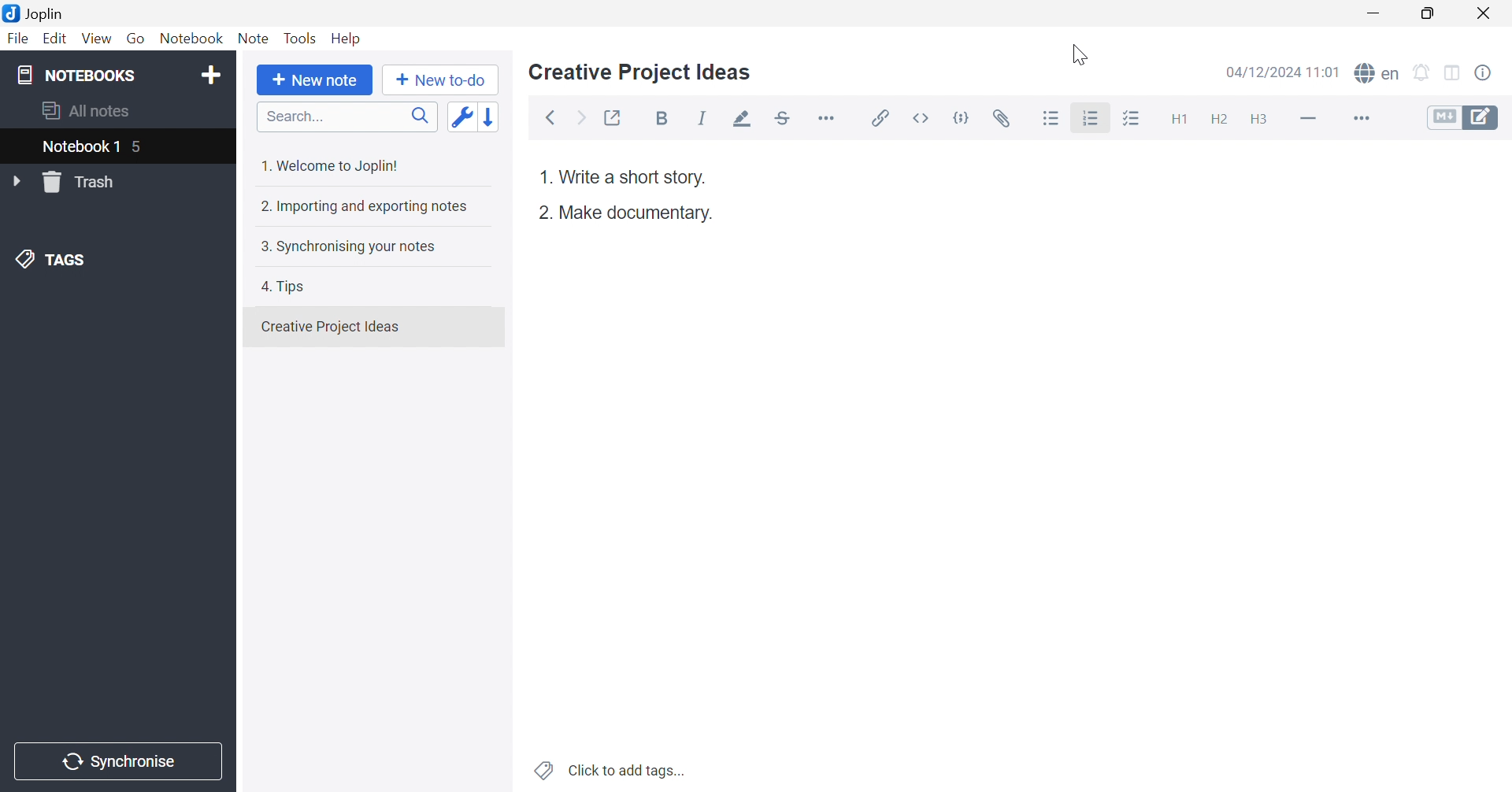 This screenshot has width=1512, height=792. What do you see at coordinates (289, 285) in the screenshot?
I see `4. Tips` at bounding box center [289, 285].